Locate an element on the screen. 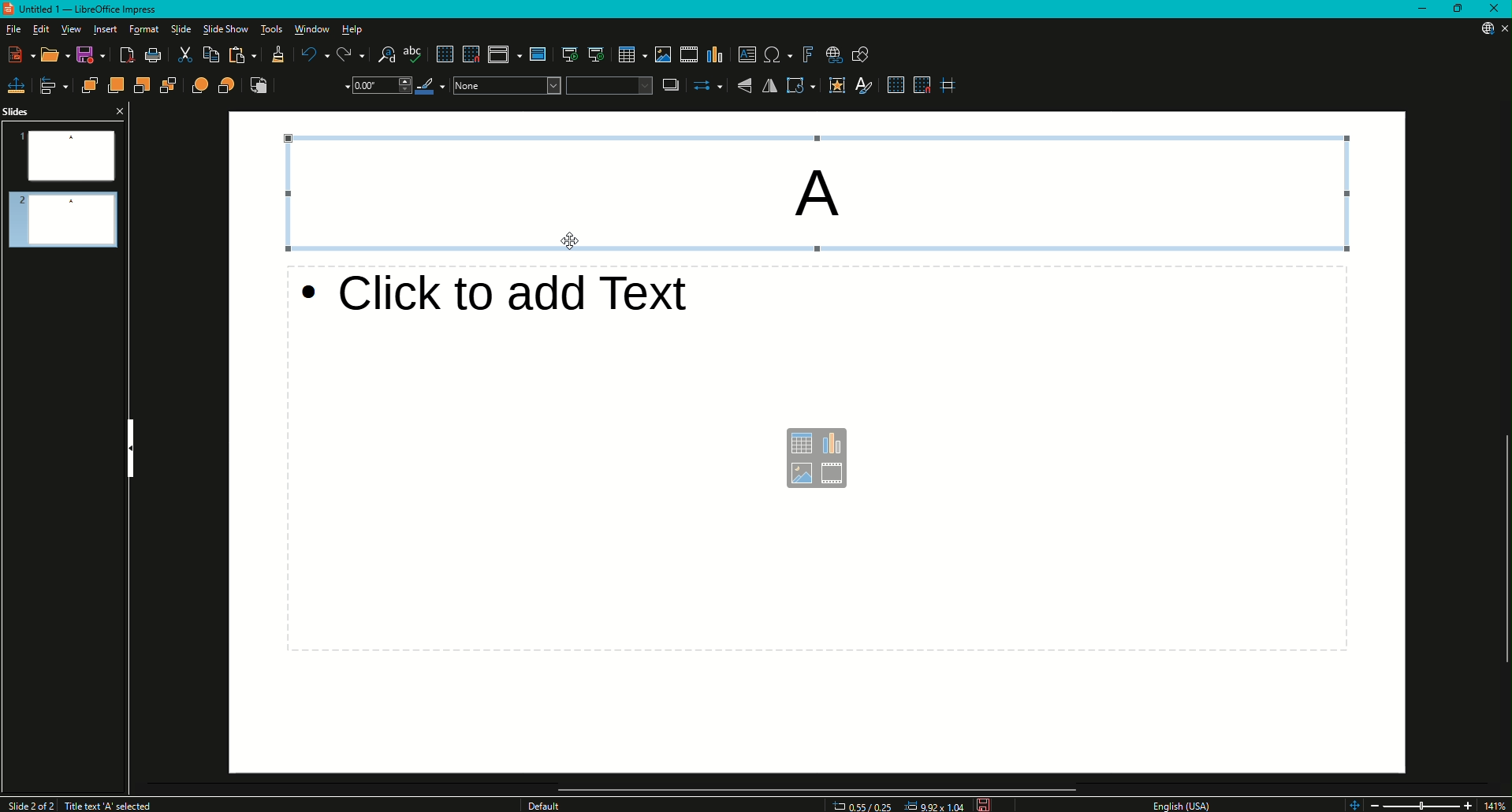 The image size is (1512, 812). Behind Object is located at coordinates (224, 86).